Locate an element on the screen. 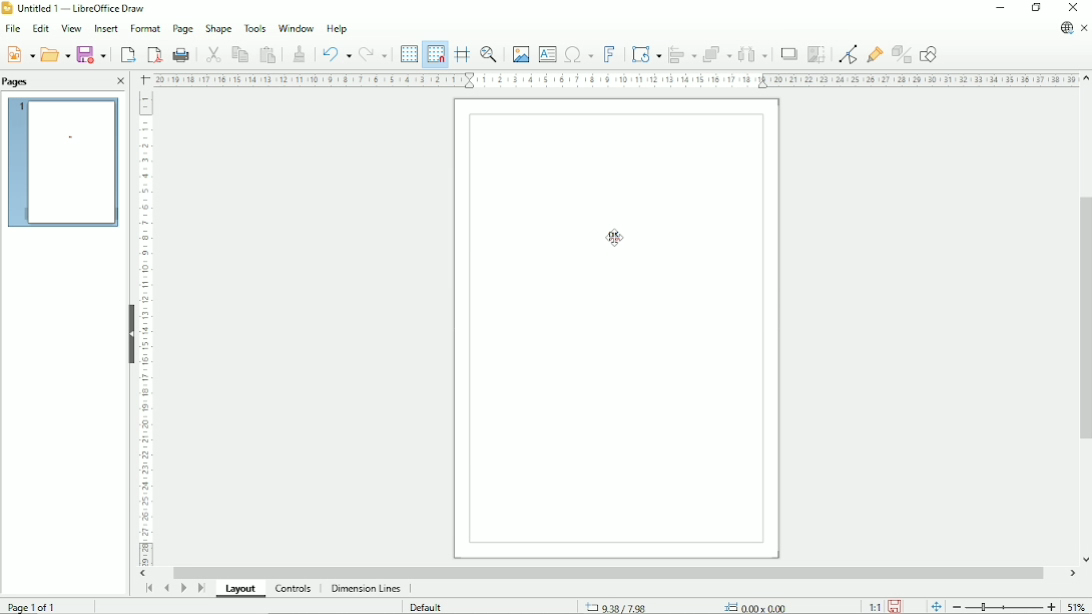 This screenshot has width=1092, height=614. Transformations is located at coordinates (646, 55).